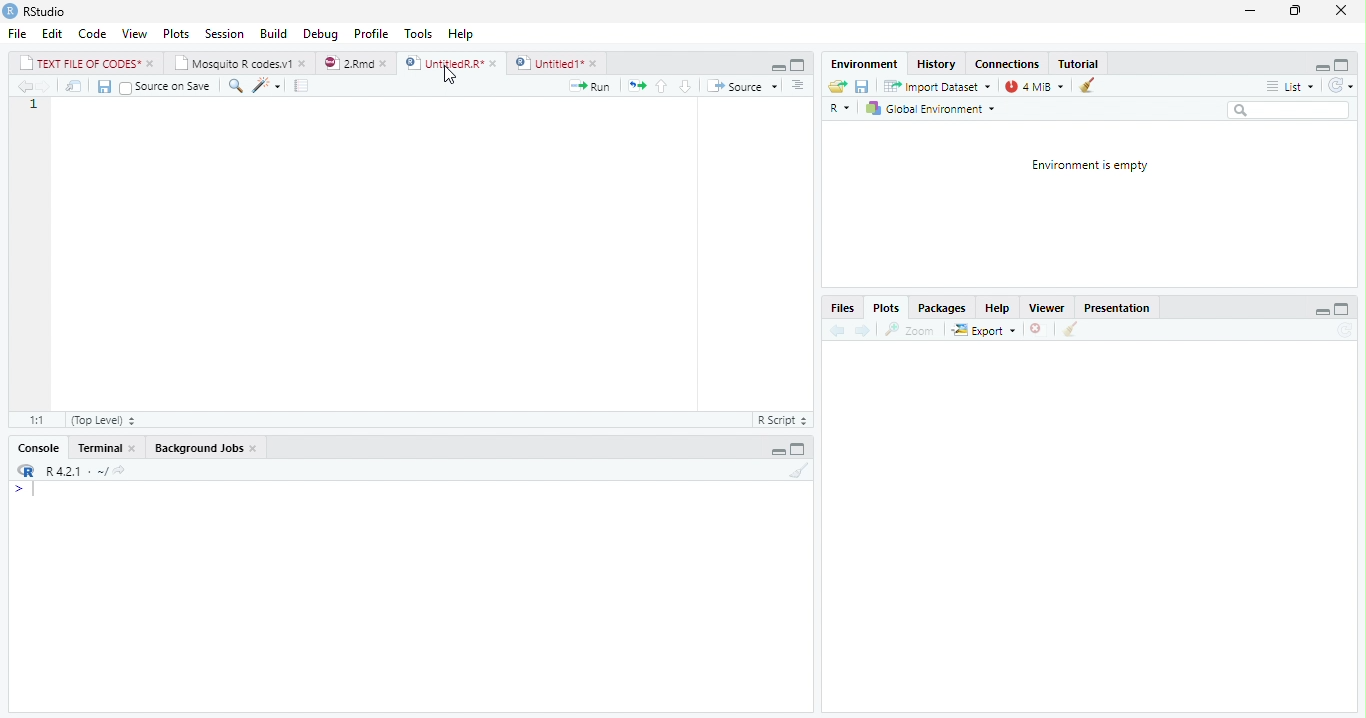 The image size is (1366, 718). I want to click on go to next section/chunk, so click(683, 86).